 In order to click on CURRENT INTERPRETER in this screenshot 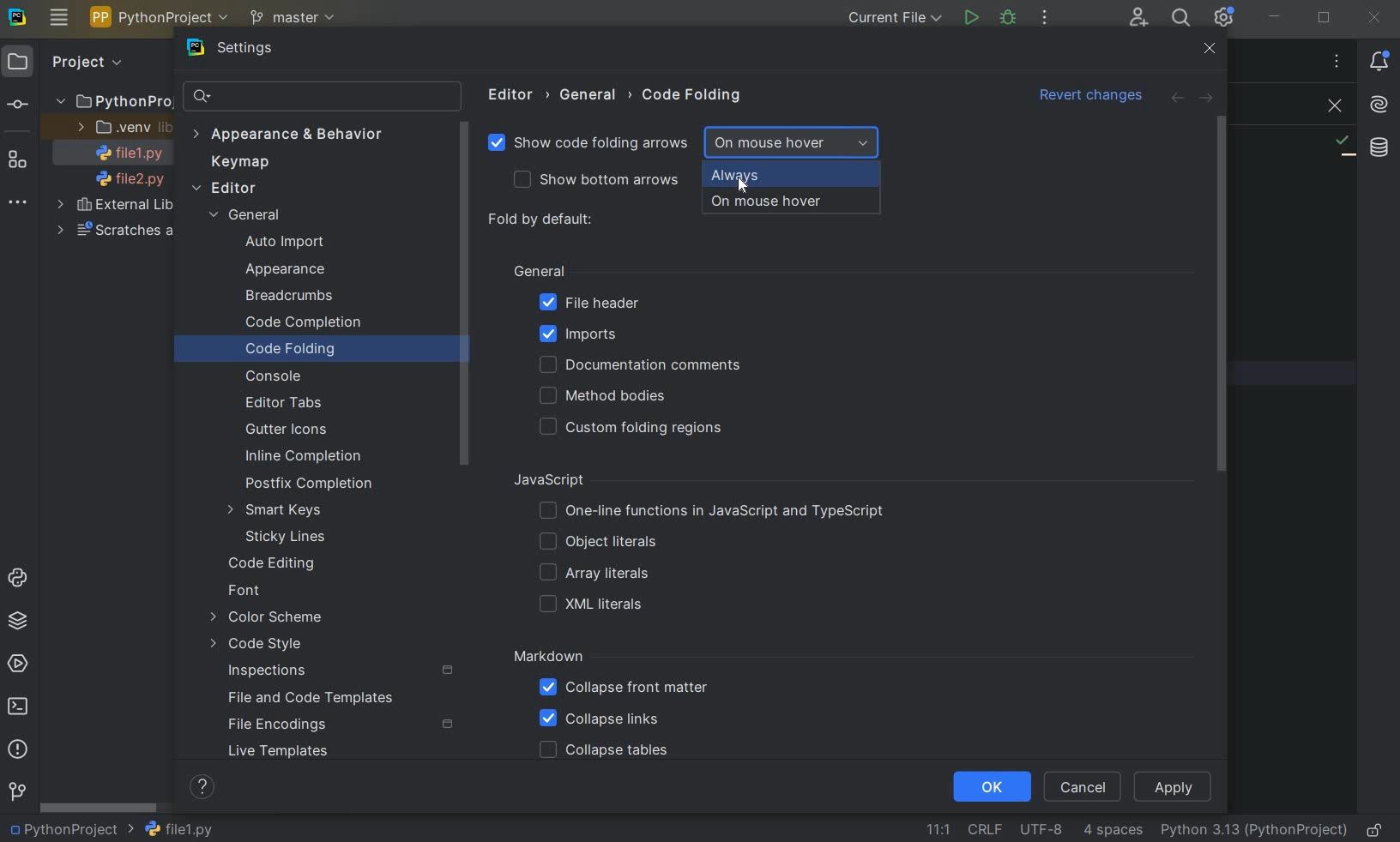, I will do `click(1253, 831)`.